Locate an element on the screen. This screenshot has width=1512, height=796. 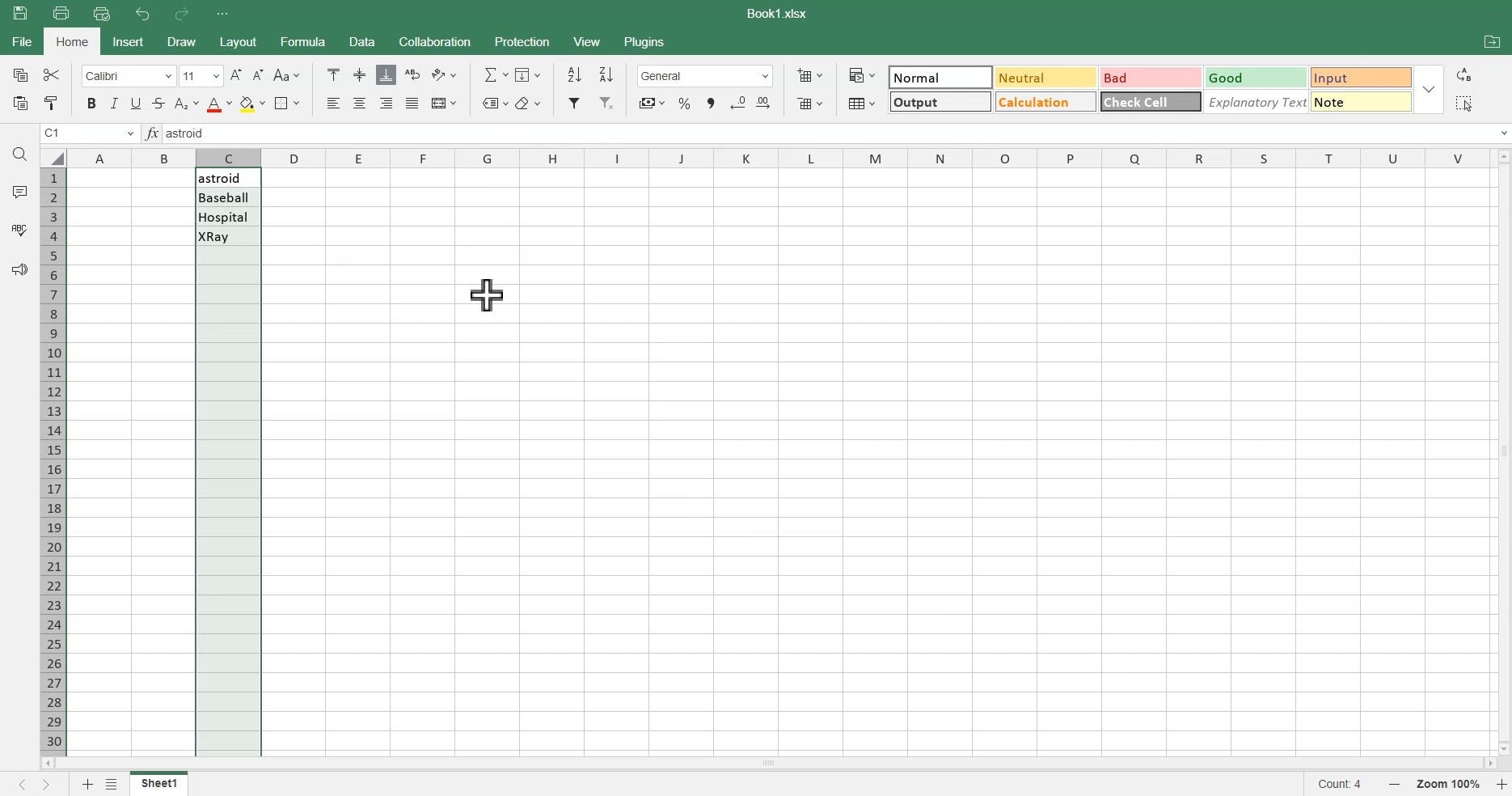
Underline is located at coordinates (137, 103).